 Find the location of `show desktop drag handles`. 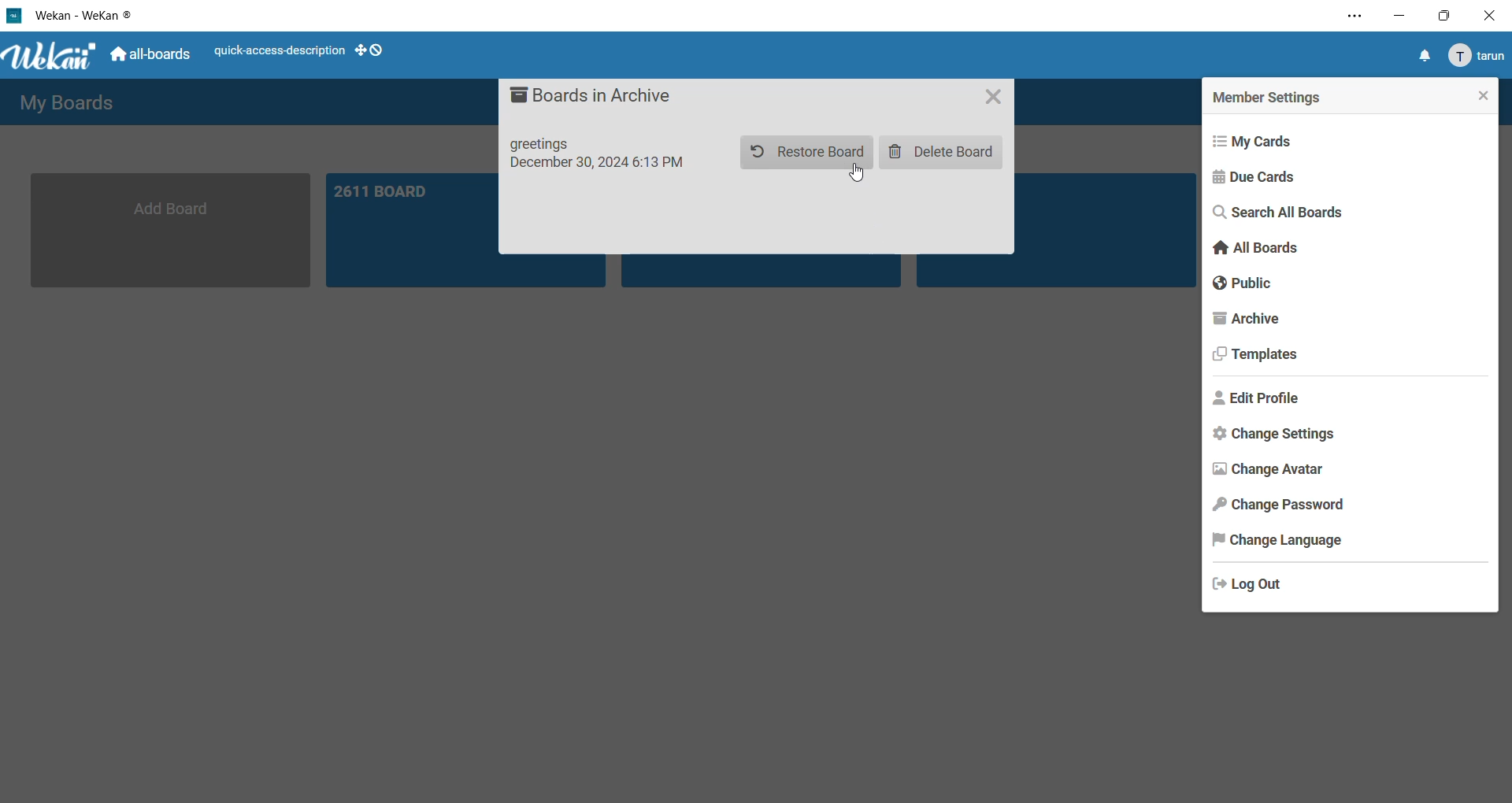

show desktop drag handles is located at coordinates (372, 50).